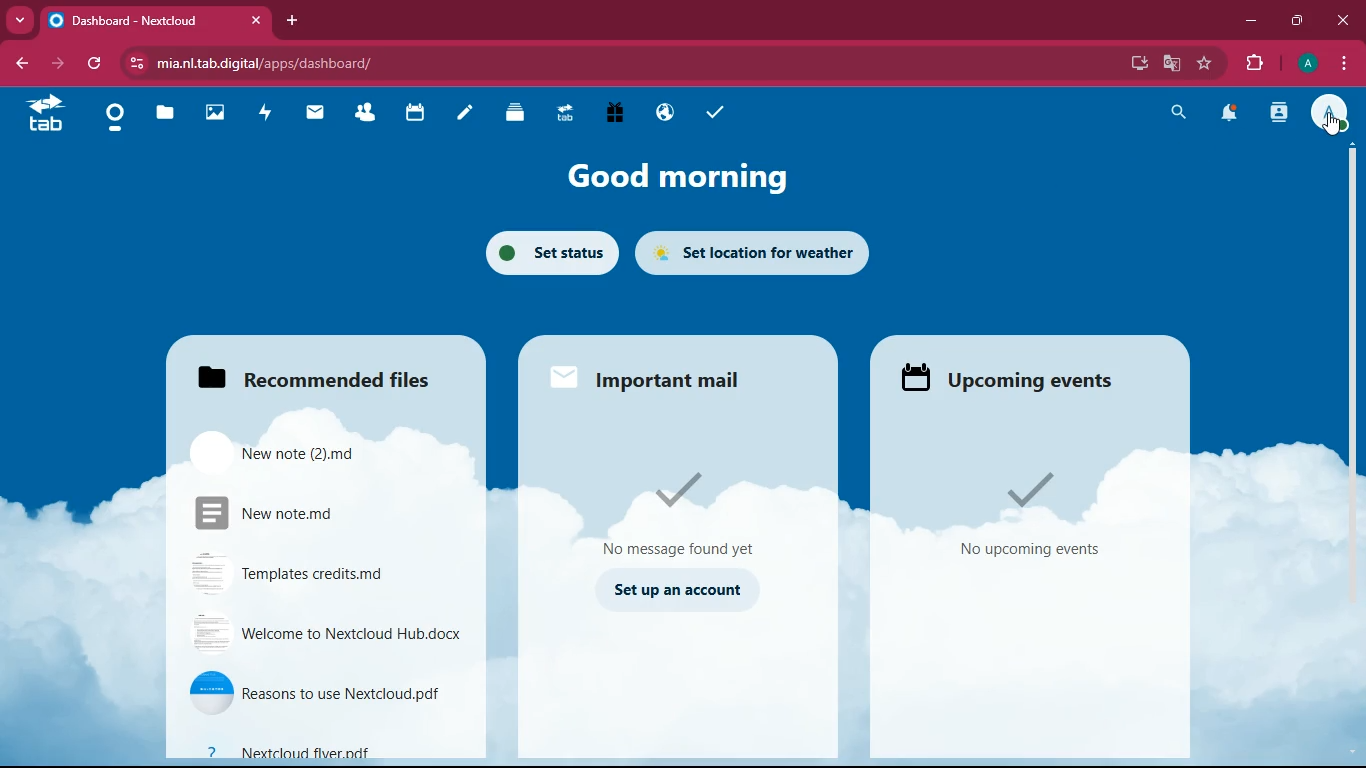 The width and height of the screenshot is (1366, 768). I want to click on set status, so click(544, 253).